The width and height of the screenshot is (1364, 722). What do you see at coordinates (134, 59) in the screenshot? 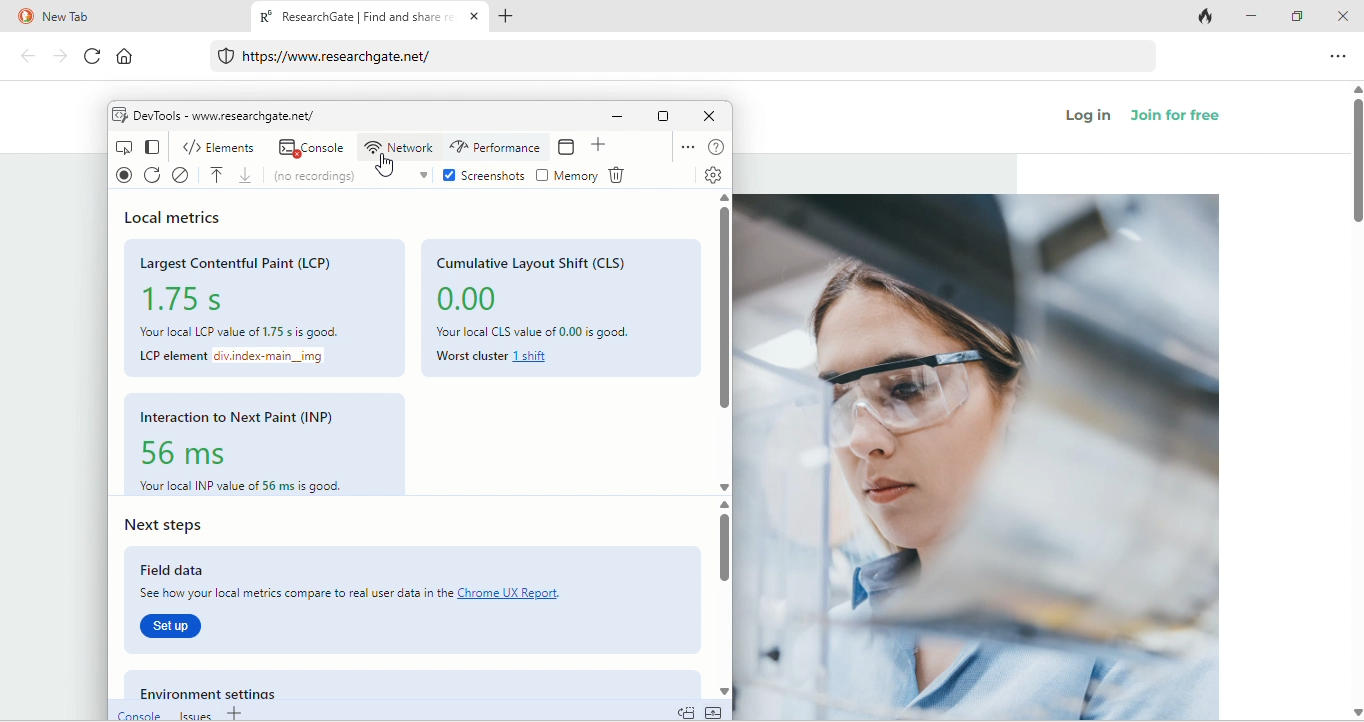
I see `home` at bounding box center [134, 59].